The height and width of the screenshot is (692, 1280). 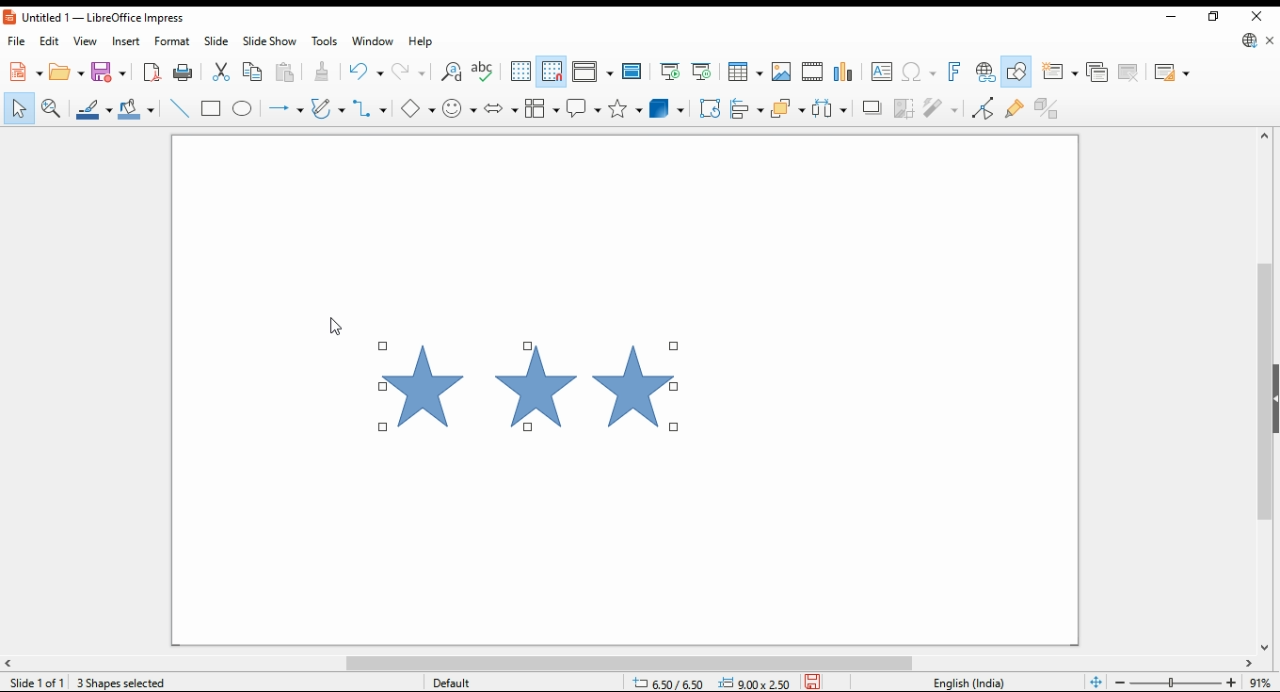 What do you see at coordinates (139, 108) in the screenshot?
I see `fill color` at bounding box center [139, 108].